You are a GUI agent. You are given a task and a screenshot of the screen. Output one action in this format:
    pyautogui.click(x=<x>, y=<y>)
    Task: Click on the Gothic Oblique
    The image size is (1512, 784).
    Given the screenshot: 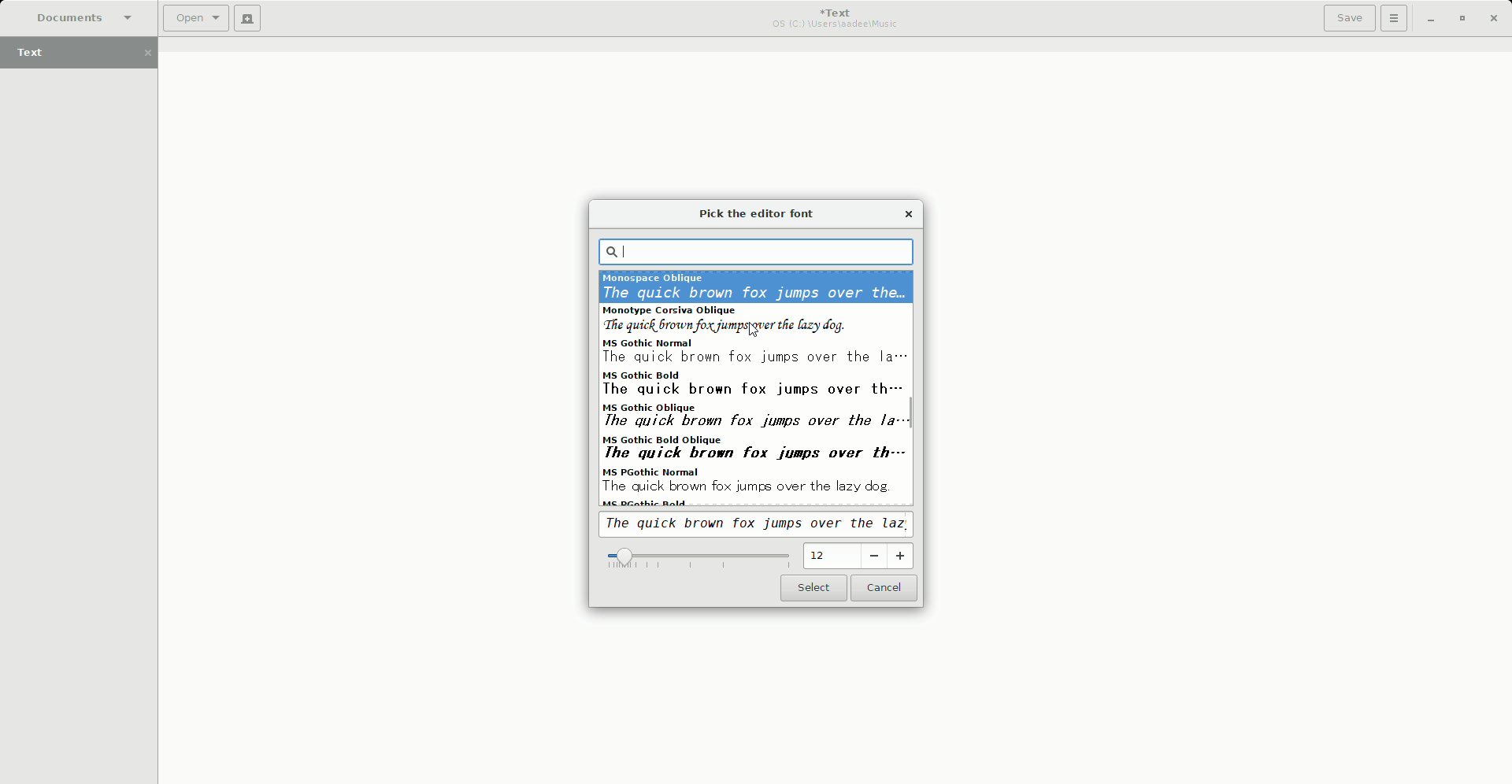 What is the action you would take?
    pyautogui.click(x=755, y=416)
    